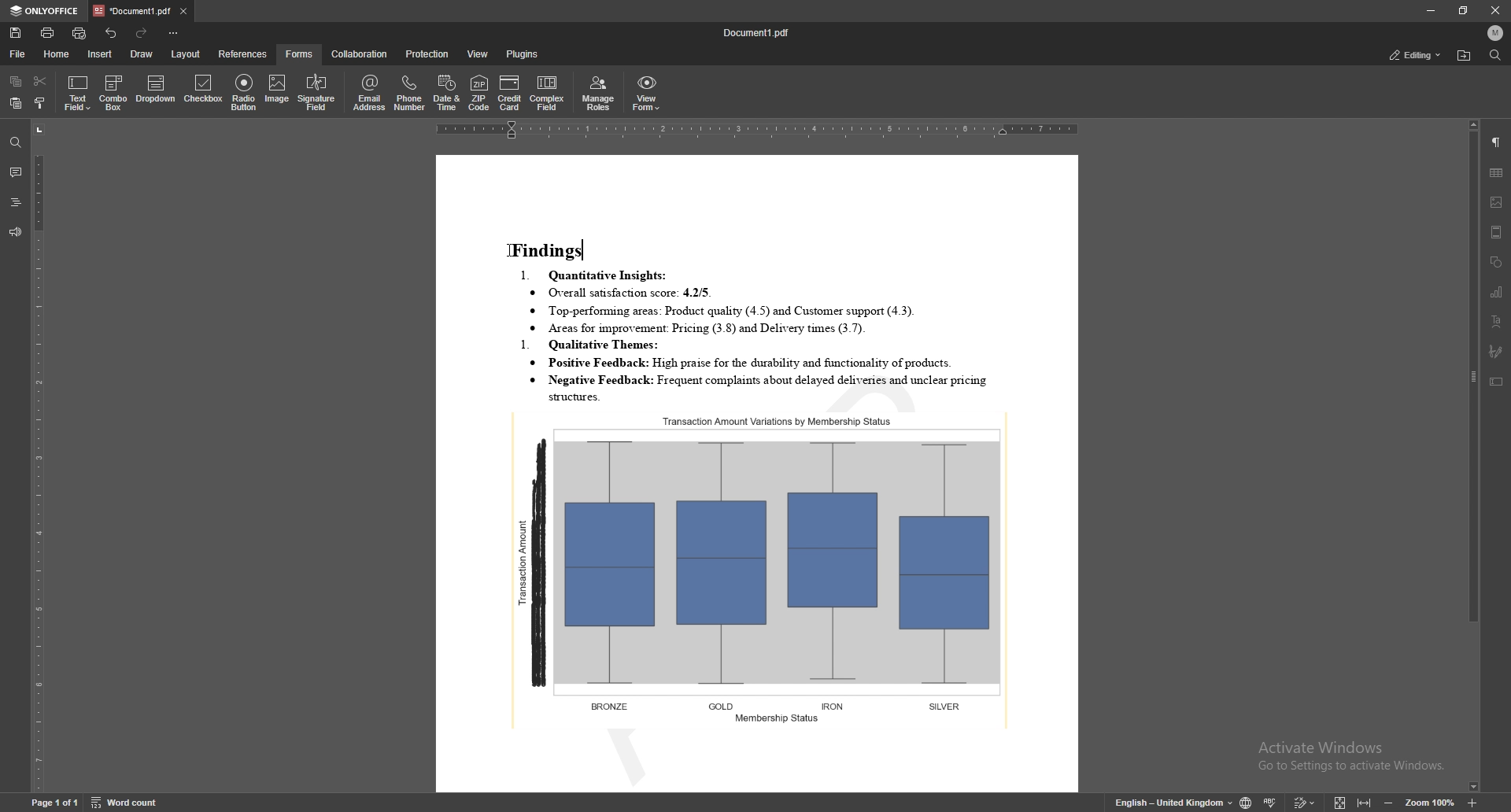  What do you see at coordinates (183, 13) in the screenshot?
I see `close tab` at bounding box center [183, 13].